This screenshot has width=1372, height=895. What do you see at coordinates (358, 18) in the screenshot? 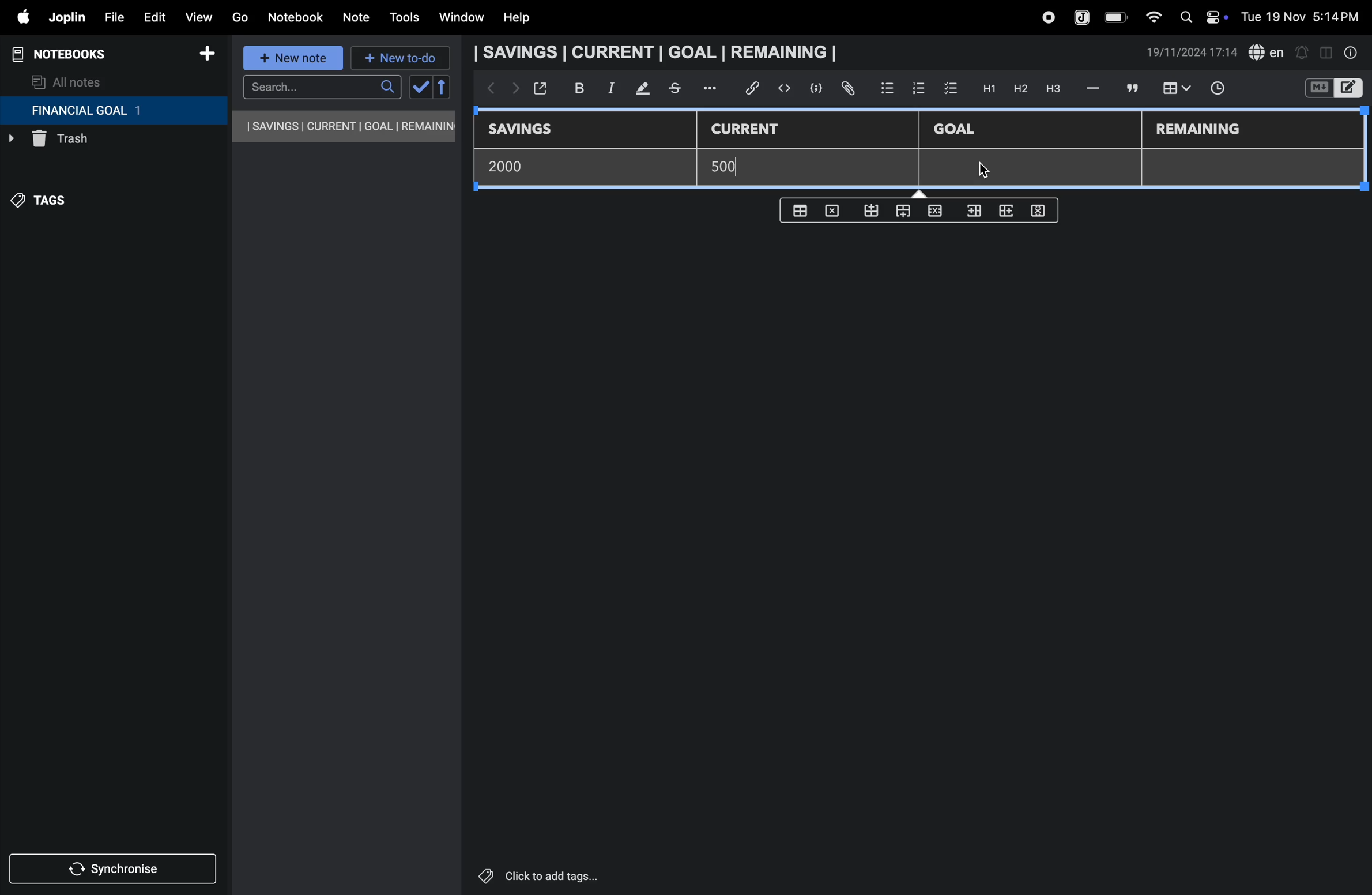
I see `note` at bounding box center [358, 18].